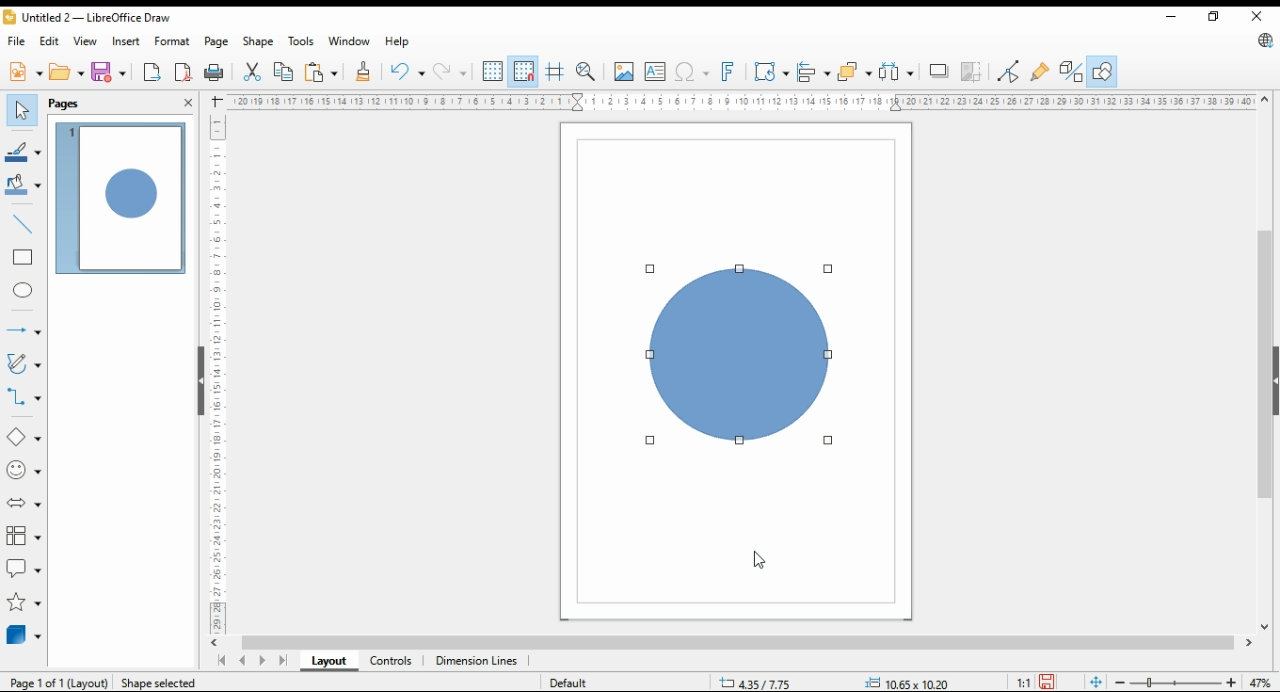  I want to click on block arrow, so click(24, 505).